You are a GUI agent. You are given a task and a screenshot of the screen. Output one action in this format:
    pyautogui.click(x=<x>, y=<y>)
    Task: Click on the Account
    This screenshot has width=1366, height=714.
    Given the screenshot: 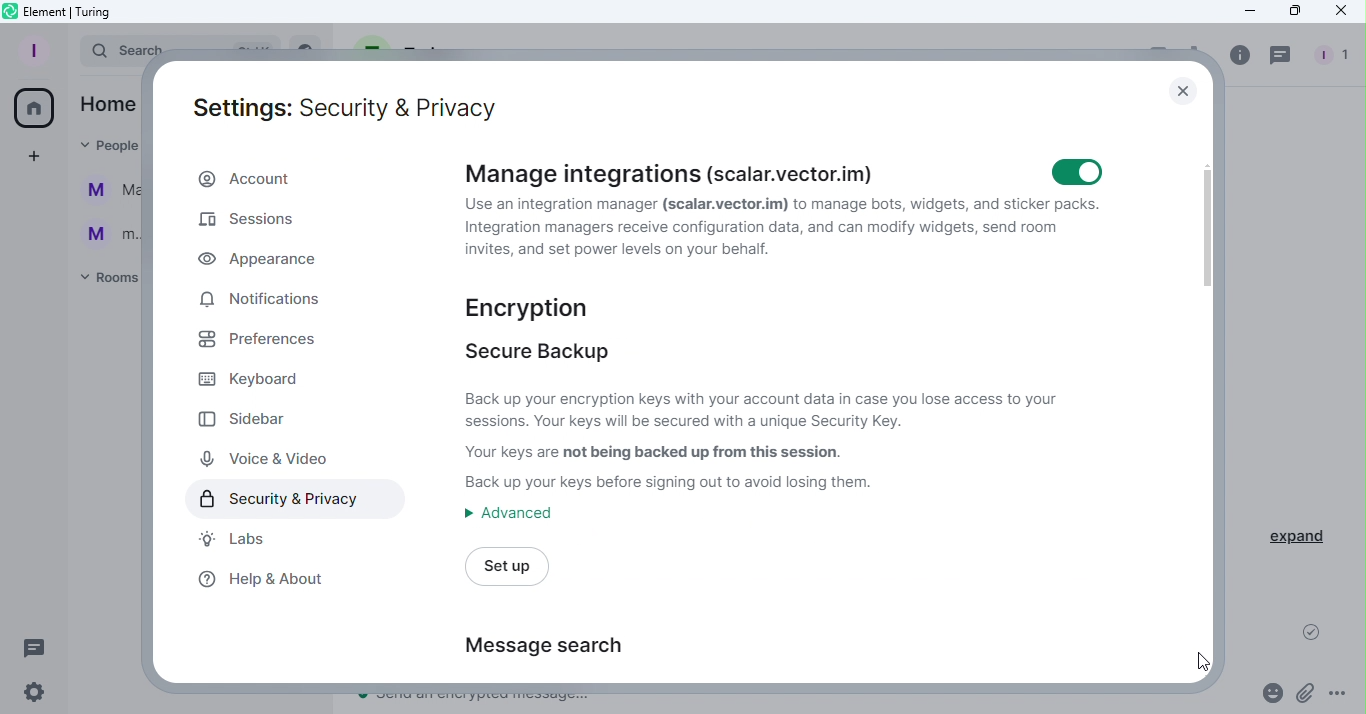 What is the action you would take?
    pyautogui.click(x=289, y=180)
    